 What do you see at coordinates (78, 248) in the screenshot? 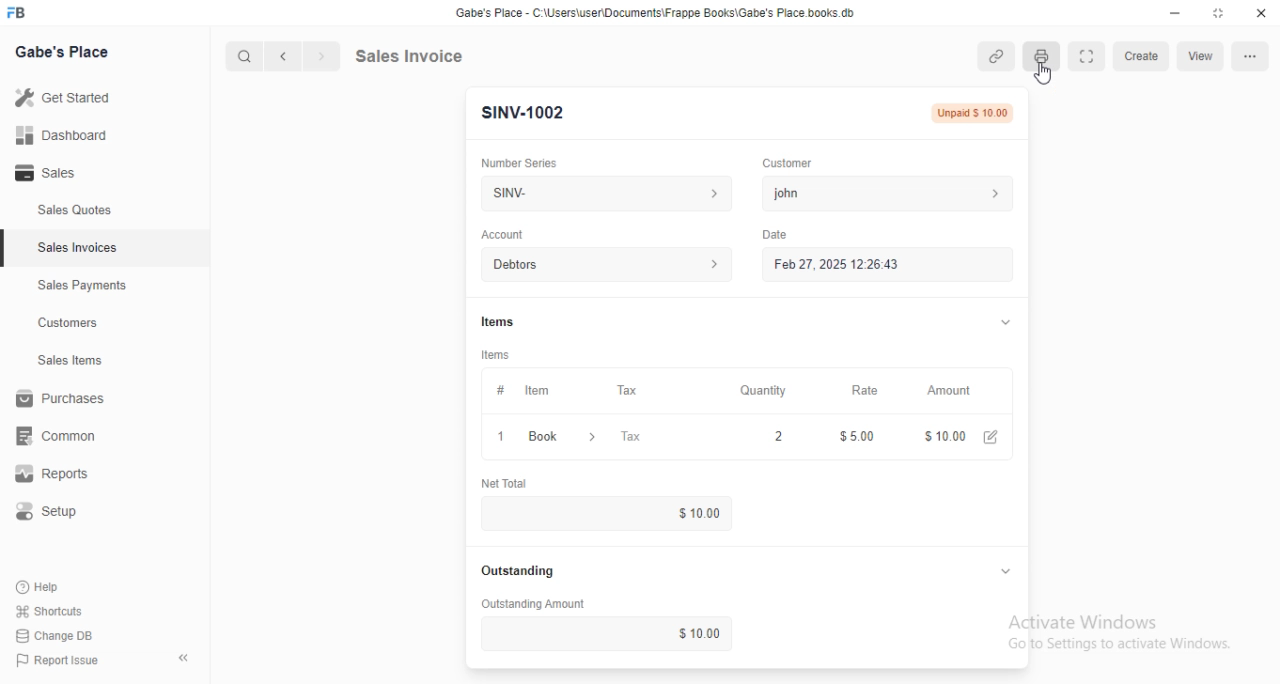
I see `sales invoices` at bounding box center [78, 248].